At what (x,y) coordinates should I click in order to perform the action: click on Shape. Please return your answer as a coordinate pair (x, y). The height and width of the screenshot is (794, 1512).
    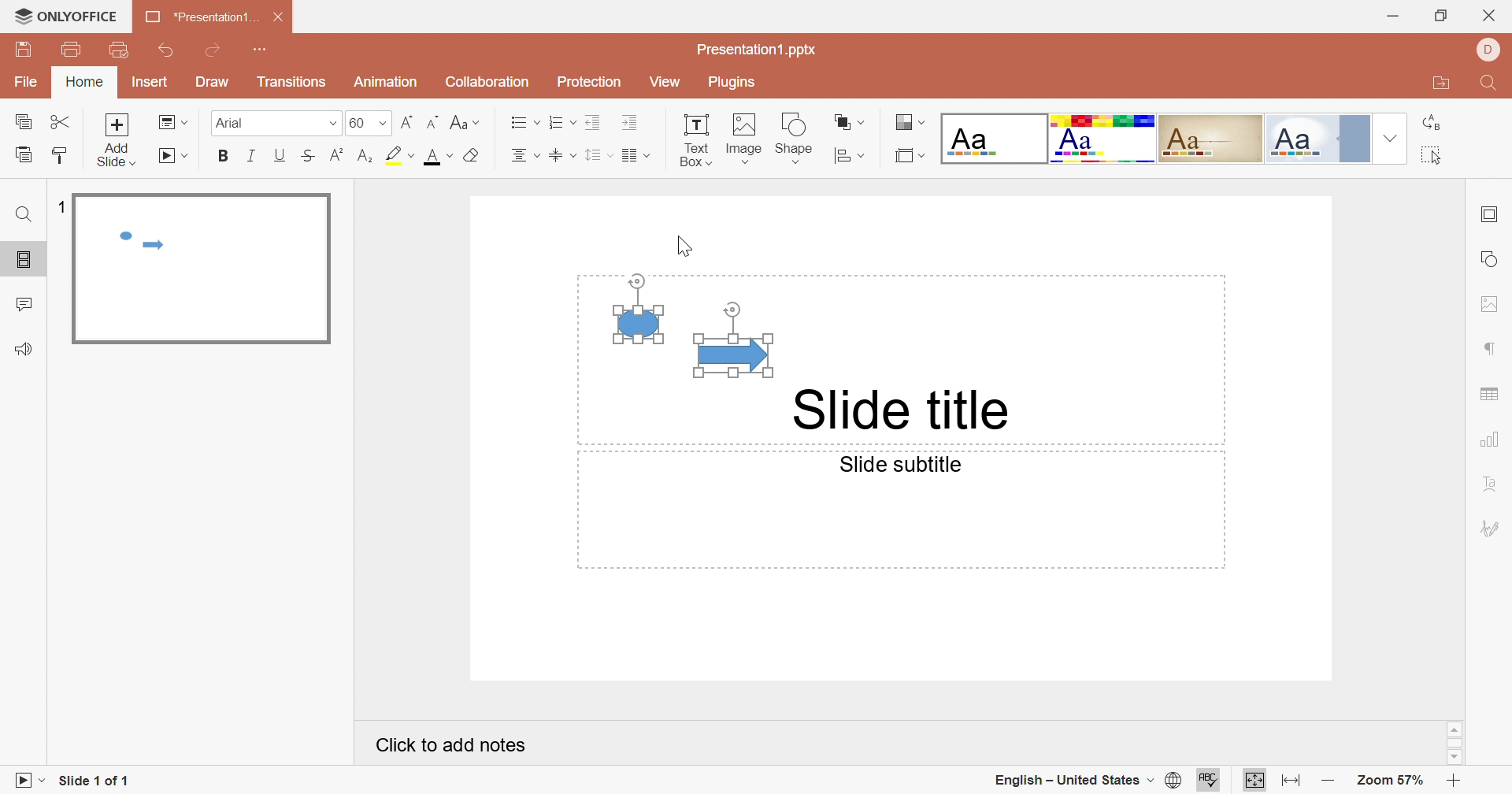
    Looking at the image, I should click on (797, 137).